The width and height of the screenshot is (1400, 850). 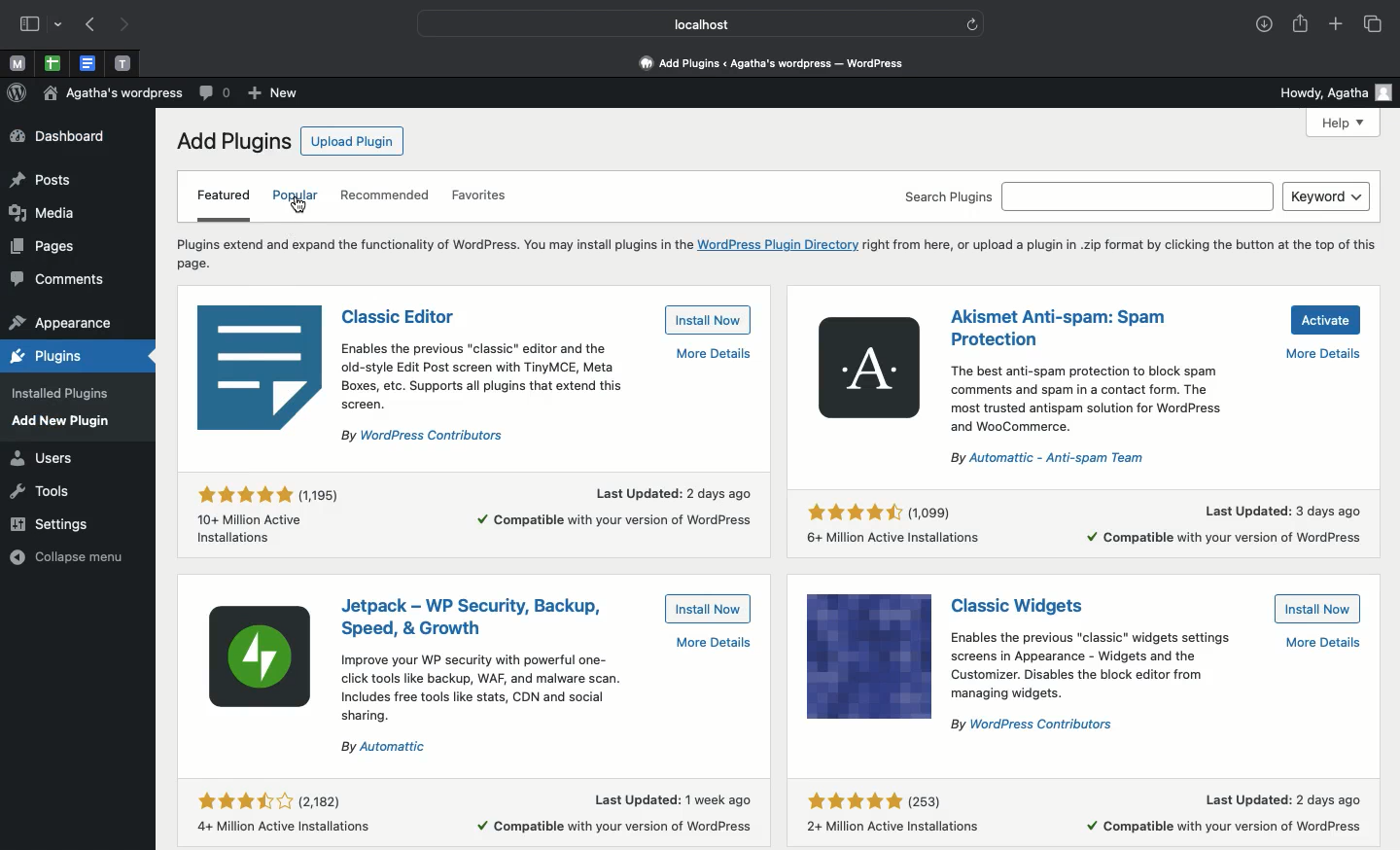 What do you see at coordinates (896, 814) in the screenshot?
I see `Rating` at bounding box center [896, 814].